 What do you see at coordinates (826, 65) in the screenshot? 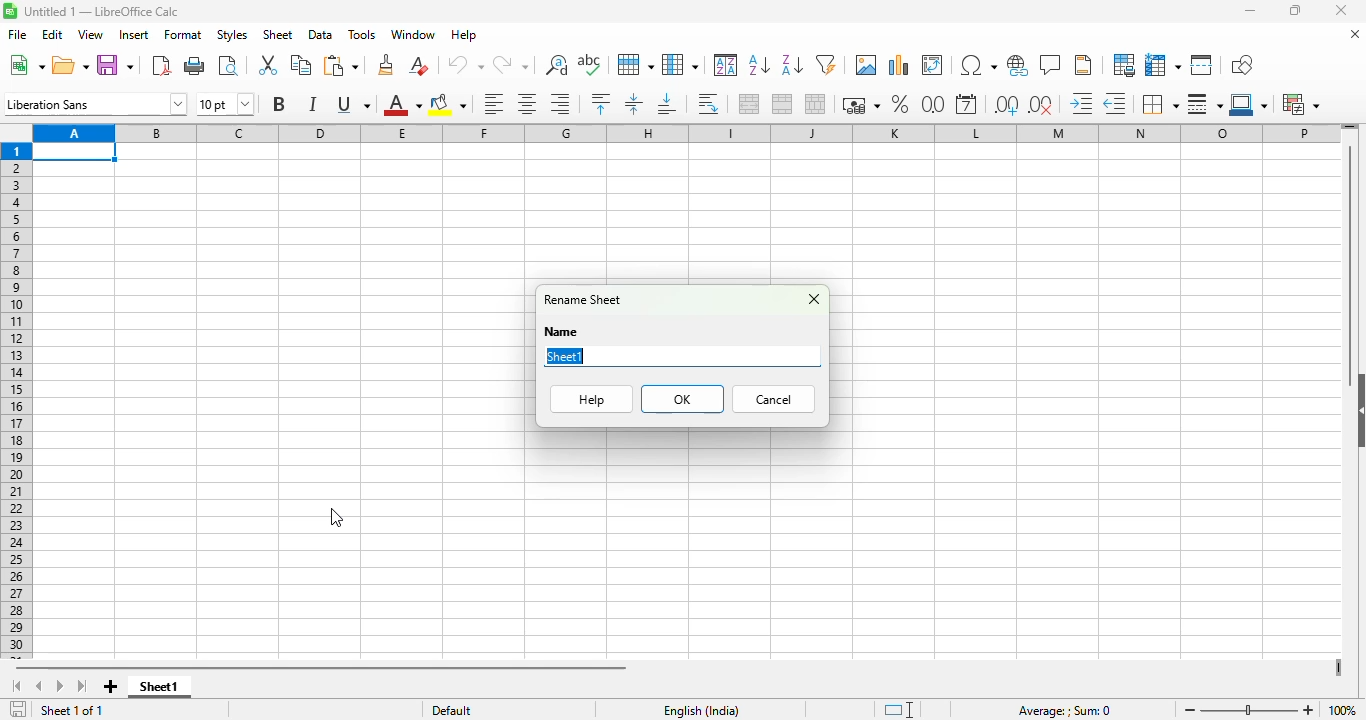
I see `autoFilter` at bounding box center [826, 65].